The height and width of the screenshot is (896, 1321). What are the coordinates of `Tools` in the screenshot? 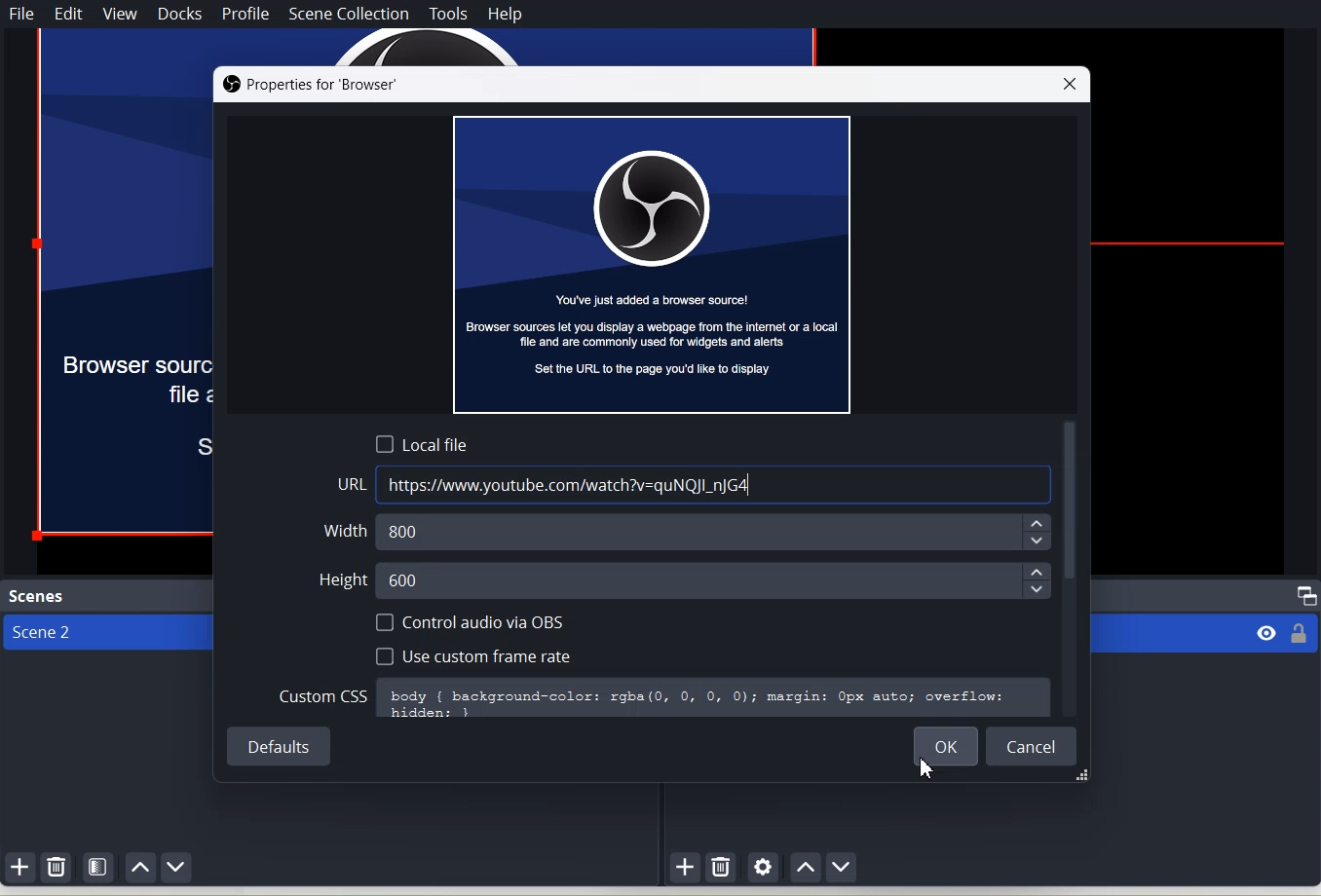 It's located at (450, 13).